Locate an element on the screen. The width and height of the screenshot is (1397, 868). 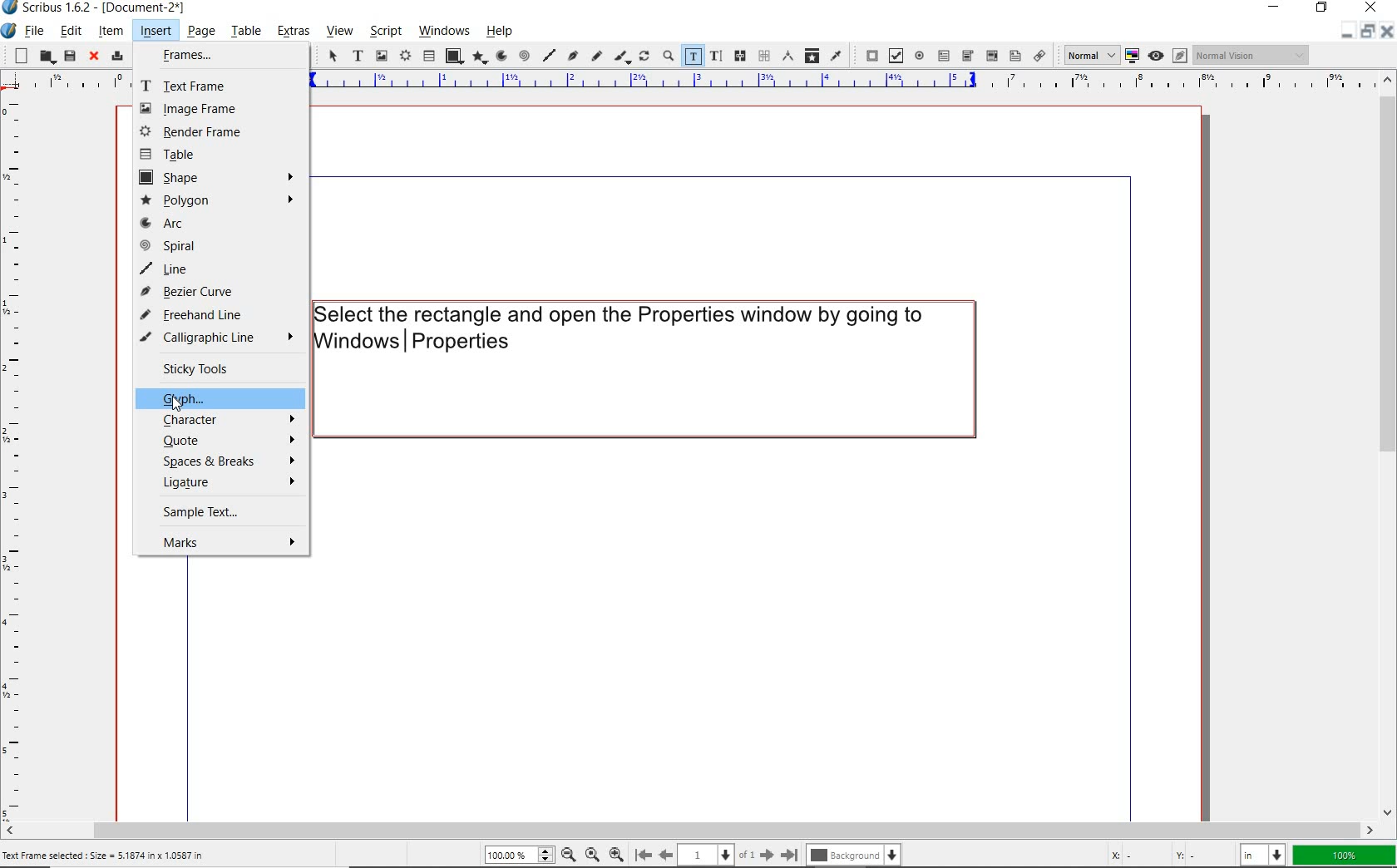
page is located at coordinates (200, 31).